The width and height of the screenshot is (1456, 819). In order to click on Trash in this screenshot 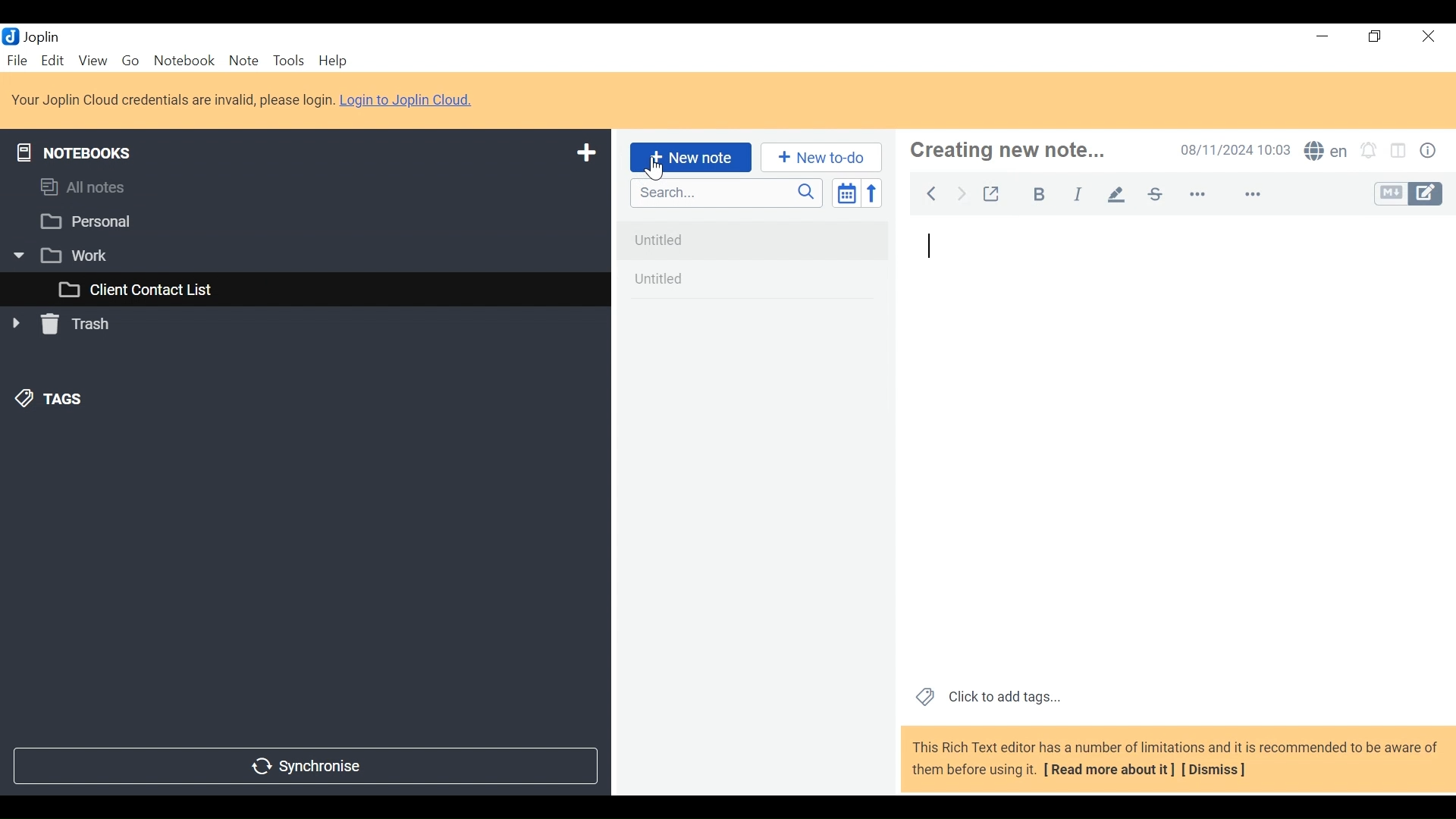, I will do `click(64, 327)`.